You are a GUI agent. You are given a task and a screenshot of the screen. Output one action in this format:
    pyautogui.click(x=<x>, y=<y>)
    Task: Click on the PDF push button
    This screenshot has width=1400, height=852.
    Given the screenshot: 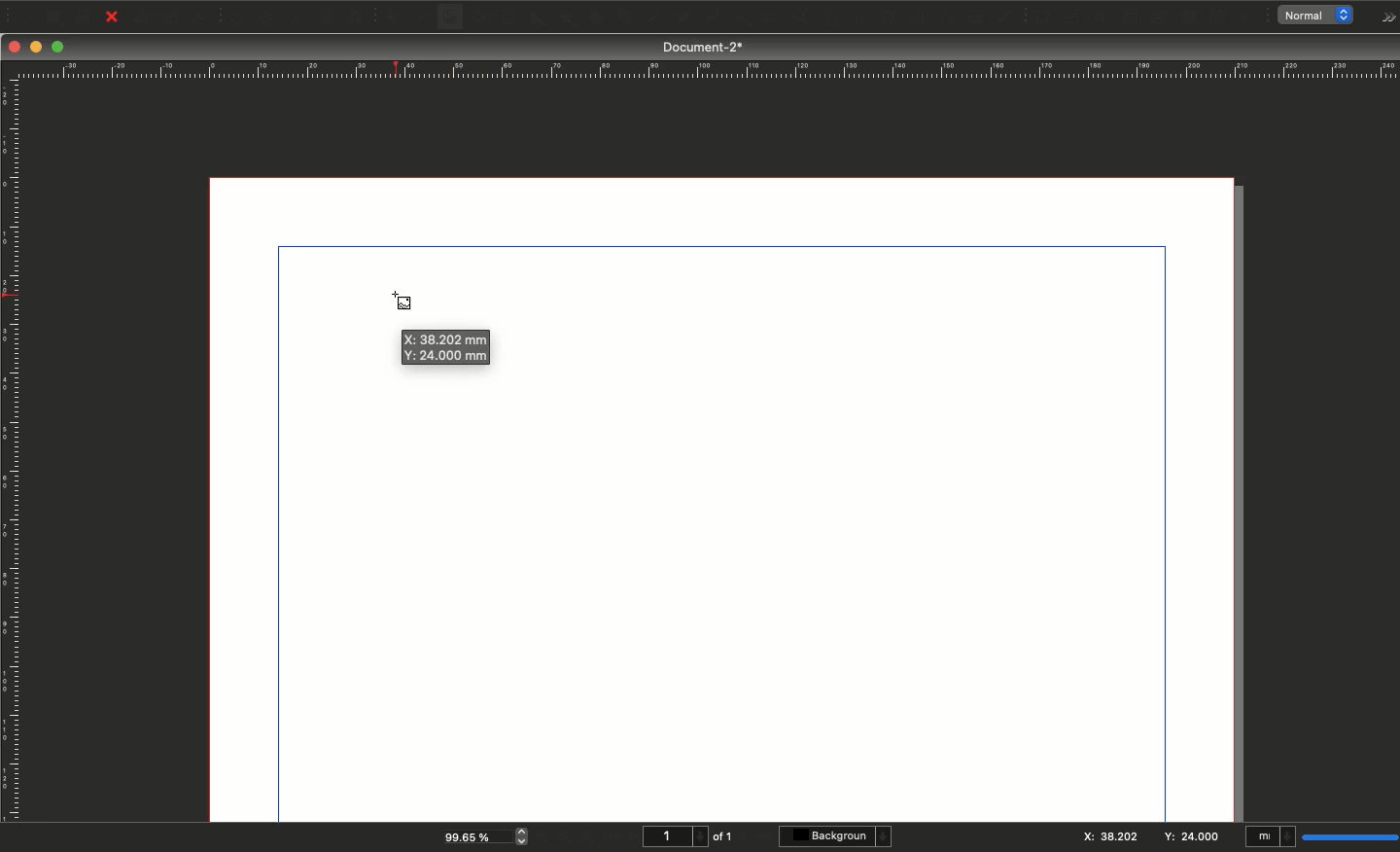 What is the action you would take?
    pyautogui.click(x=1040, y=17)
    